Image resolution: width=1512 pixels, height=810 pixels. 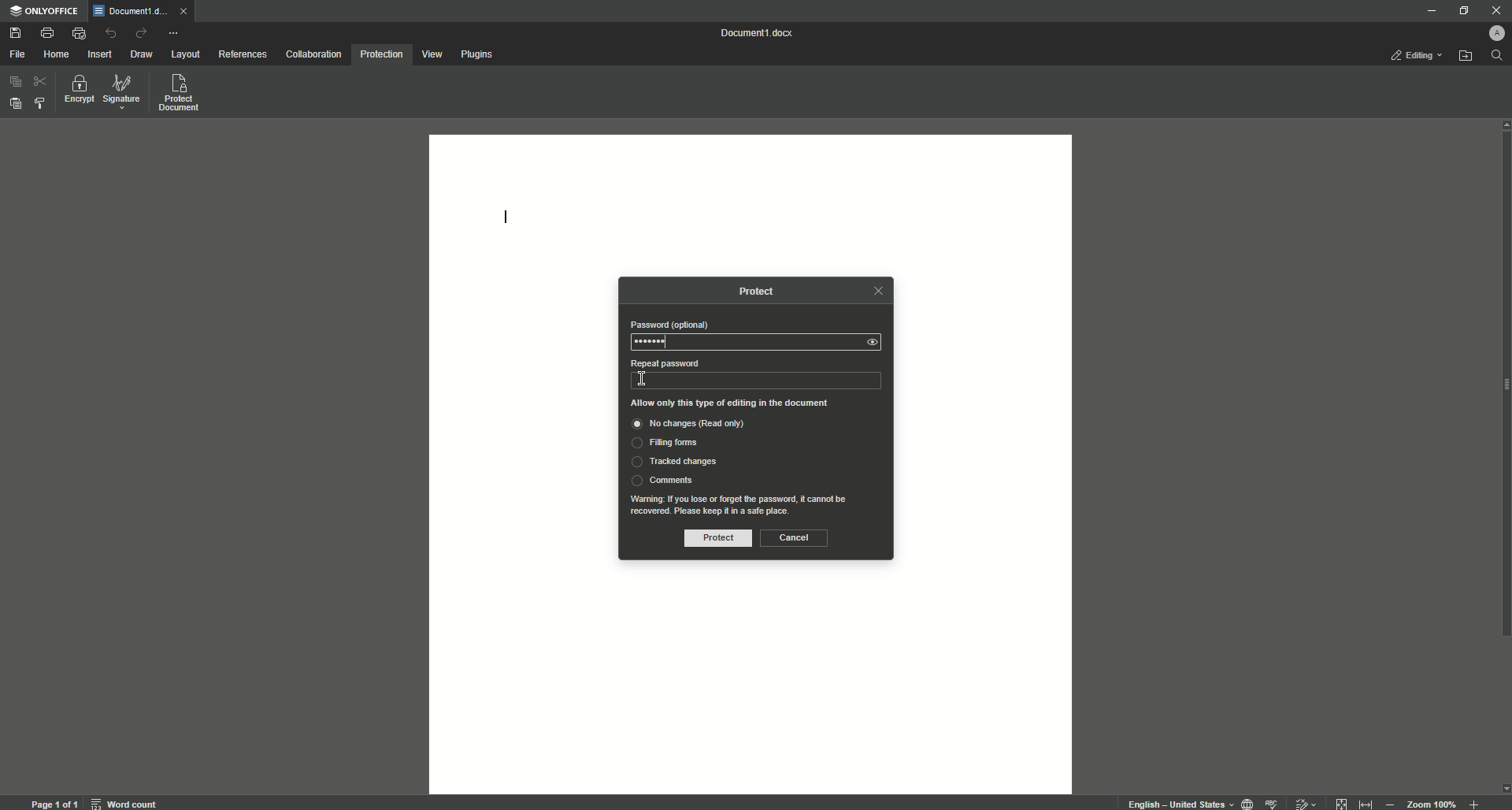 What do you see at coordinates (57, 53) in the screenshot?
I see `Home` at bounding box center [57, 53].